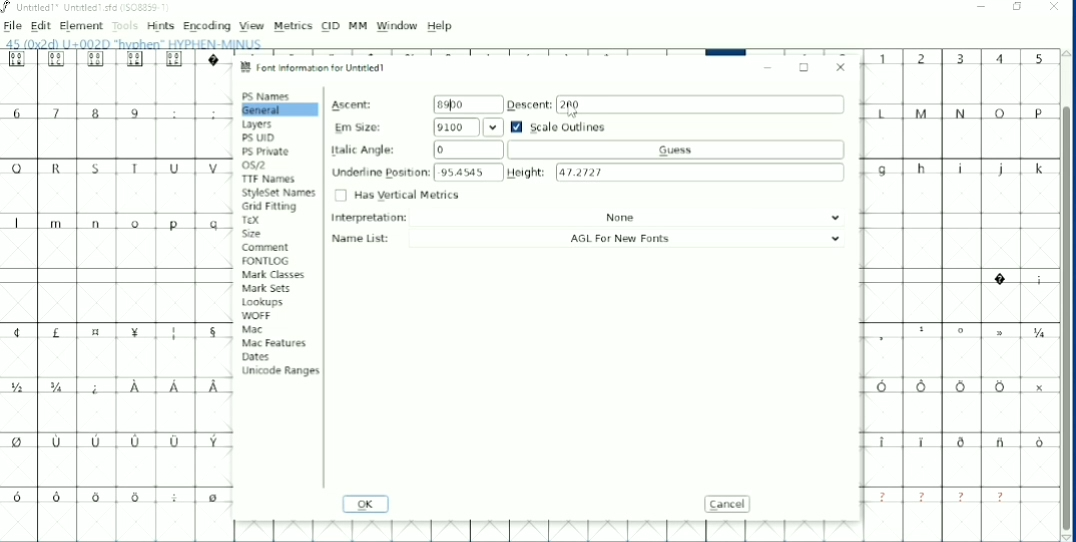 The height and width of the screenshot is (542, 1076). What do you see at coordinates (268, 290) in the screenshot?
I see `Mark Sets` at bounding box center [268, 290].